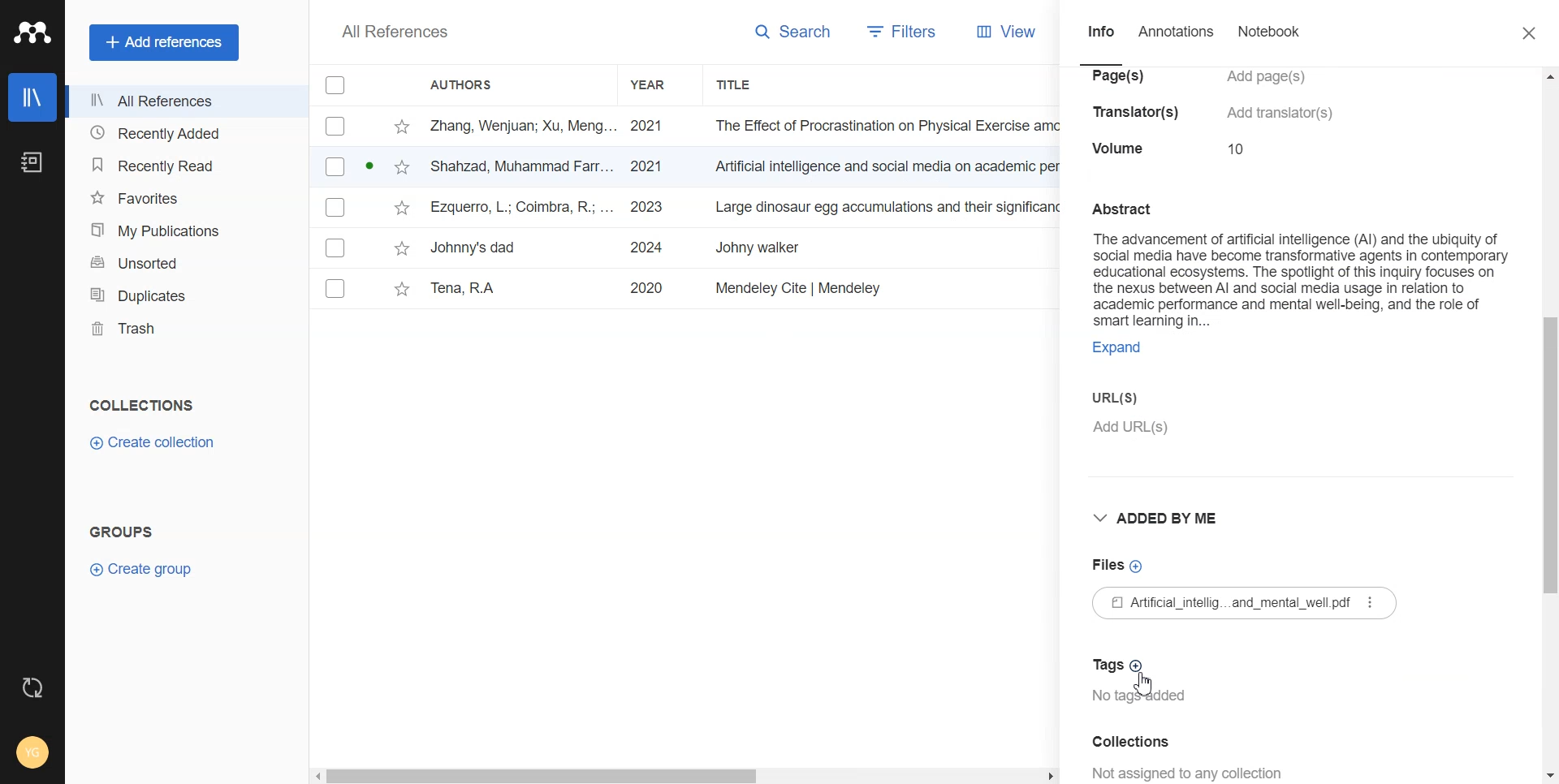  Describe the element at coordinates (682, 290) in the screenshot. I see `File` at that location.